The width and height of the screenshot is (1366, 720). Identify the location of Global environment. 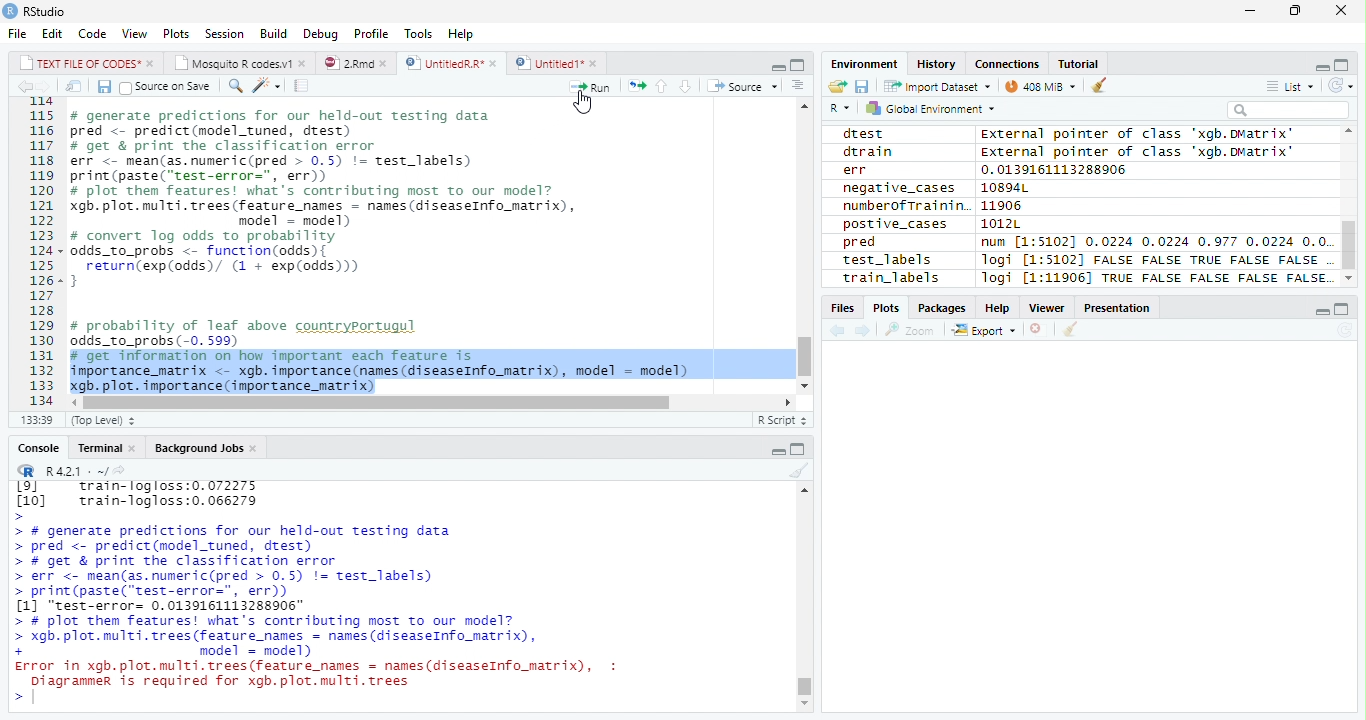
(930, 109).